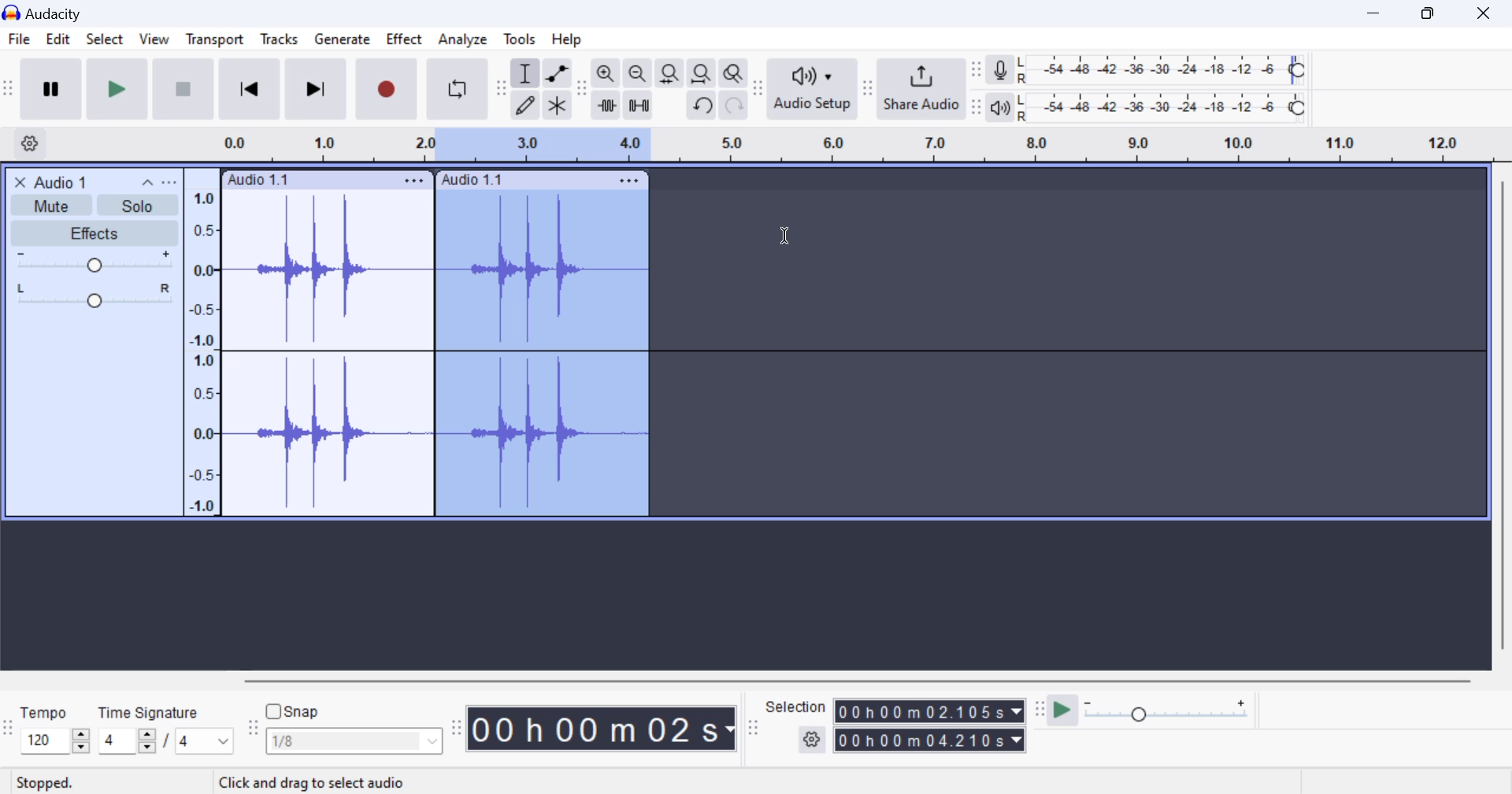 The image size is (1512, 794). Describe the element at coordinates (201, 349) in the screenshot. I see `Scale to measure intensity of waves in track` at that location.